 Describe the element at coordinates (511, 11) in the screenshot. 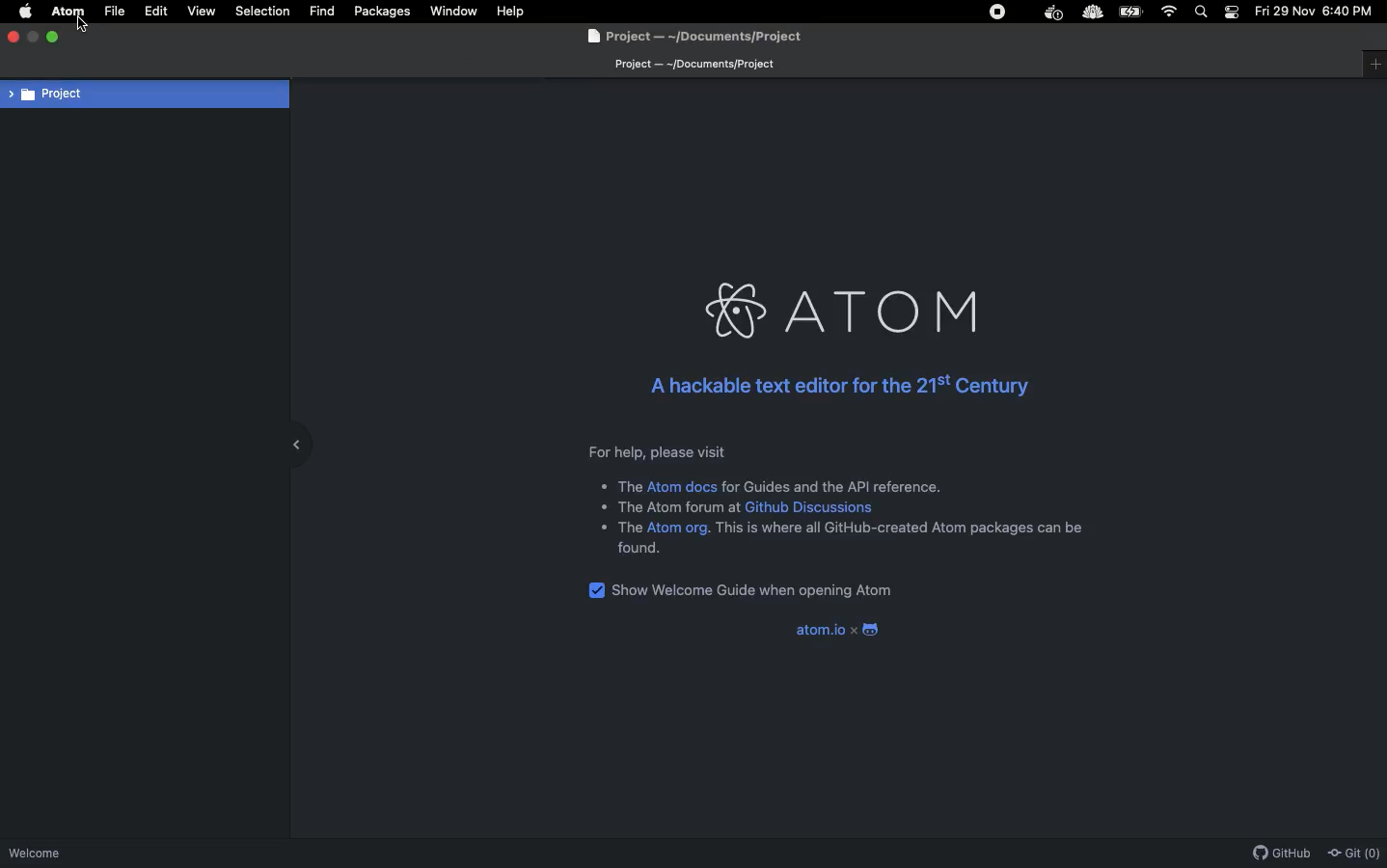

I see `Help` at that location.